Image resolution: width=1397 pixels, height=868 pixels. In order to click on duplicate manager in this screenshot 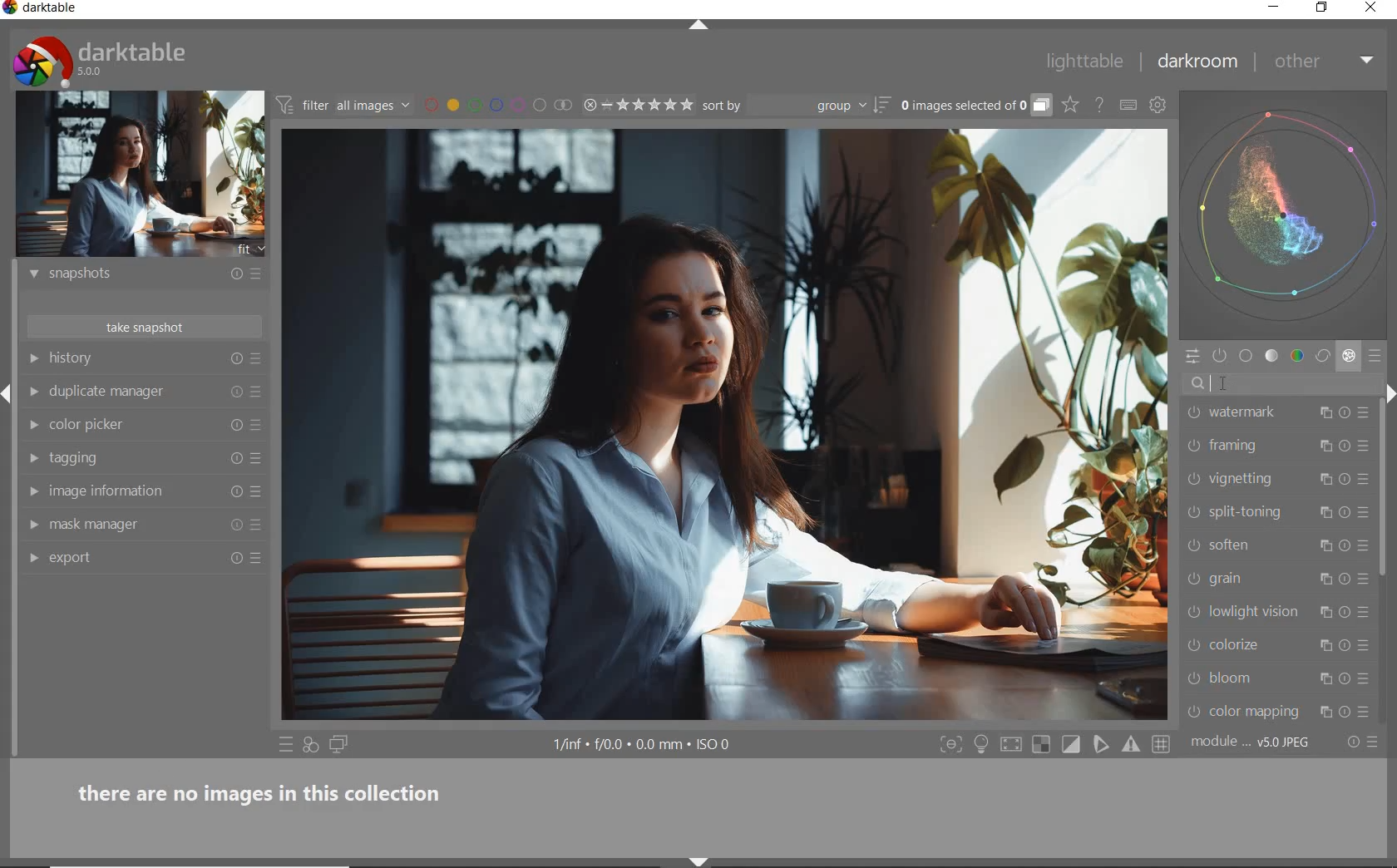, I will do `click(120, 391)`.